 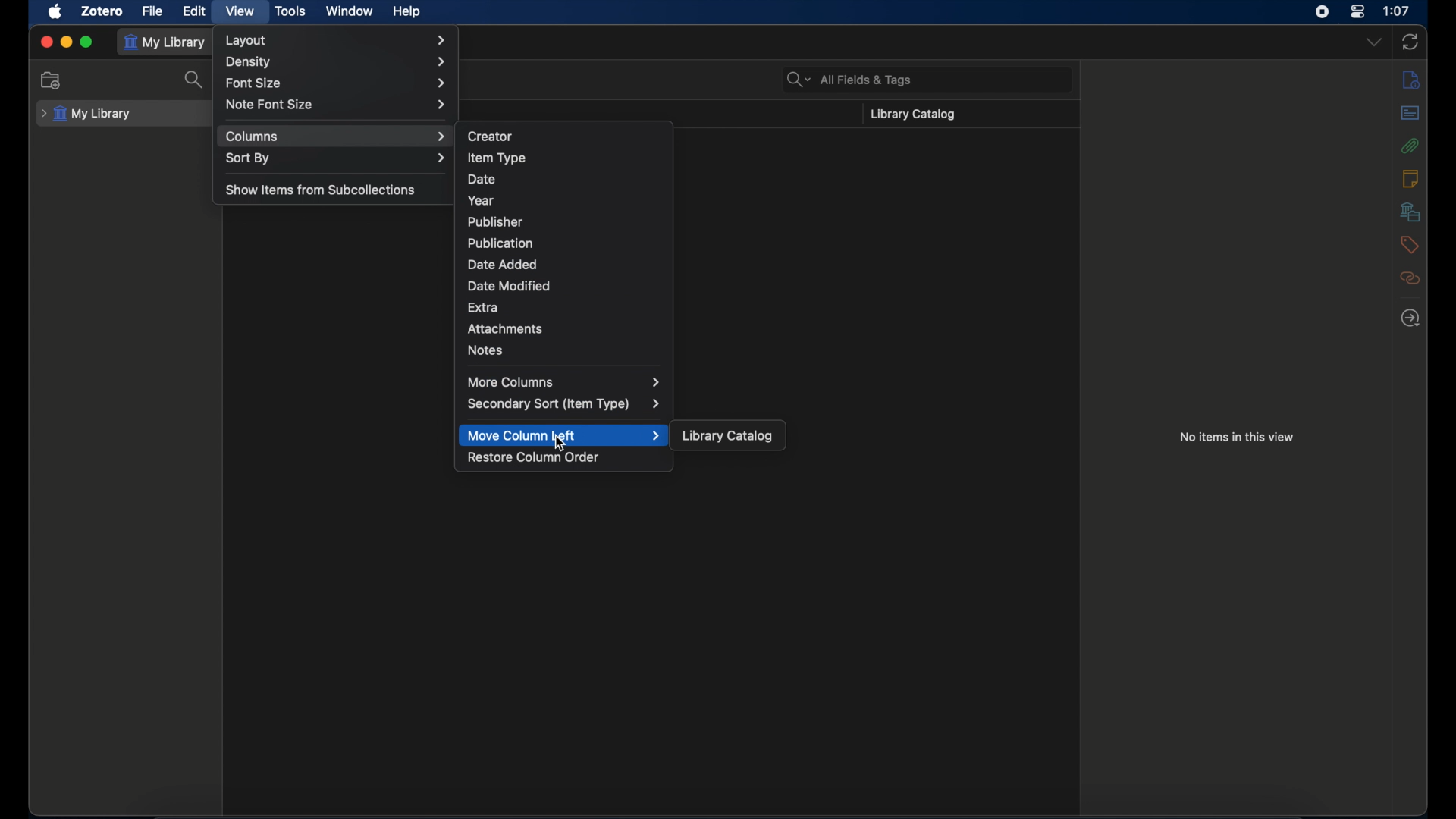 What do you see at coordinates (911, 115) in the screenshot?
I see `library catalog` at bounding box center [911, 115].